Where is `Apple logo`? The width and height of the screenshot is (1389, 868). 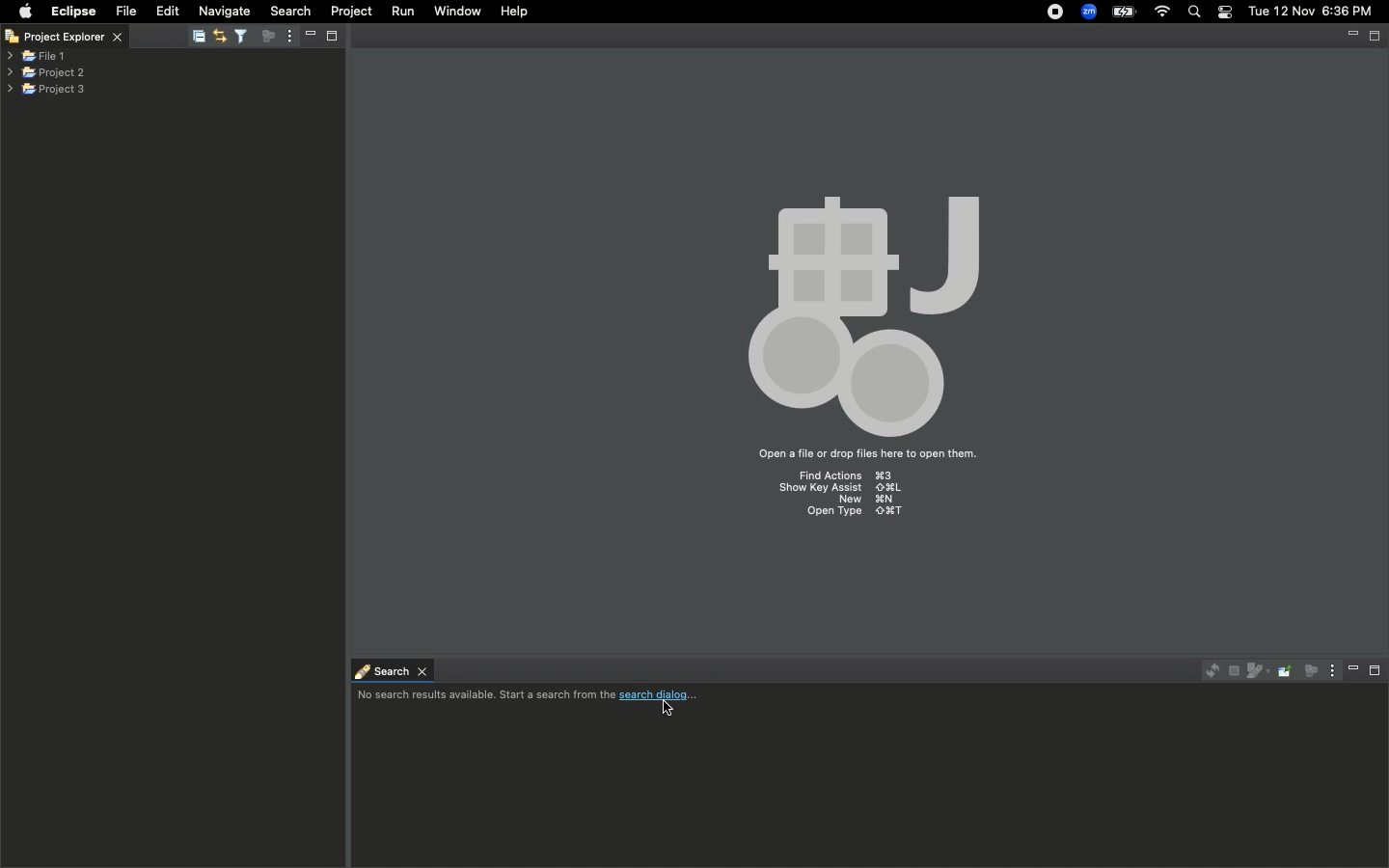
Apple logo is located at coordinates (25, 11).